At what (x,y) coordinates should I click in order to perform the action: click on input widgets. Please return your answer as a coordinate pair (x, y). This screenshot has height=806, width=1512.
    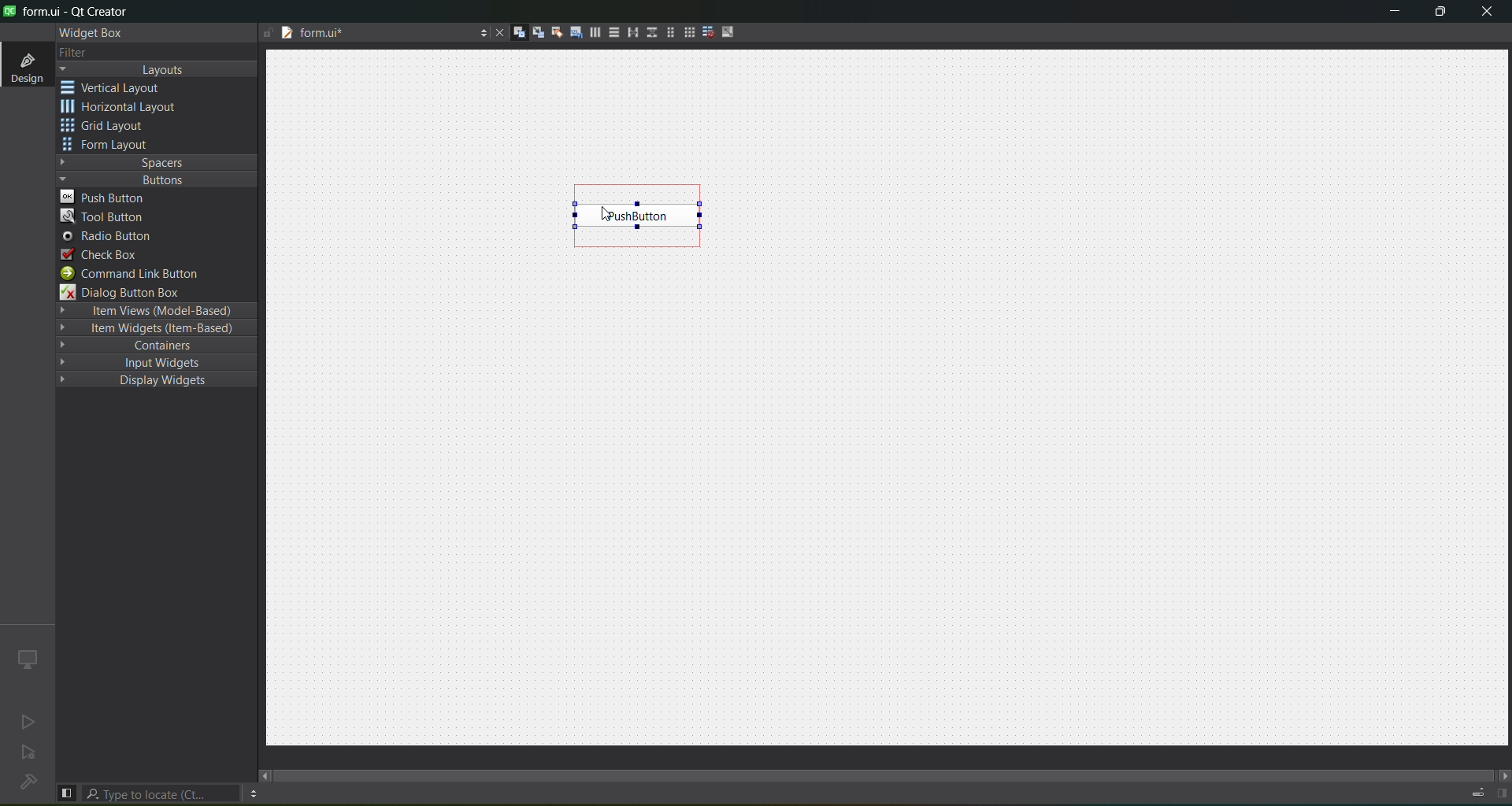
    Looking at the image, I should click on (149, 362).